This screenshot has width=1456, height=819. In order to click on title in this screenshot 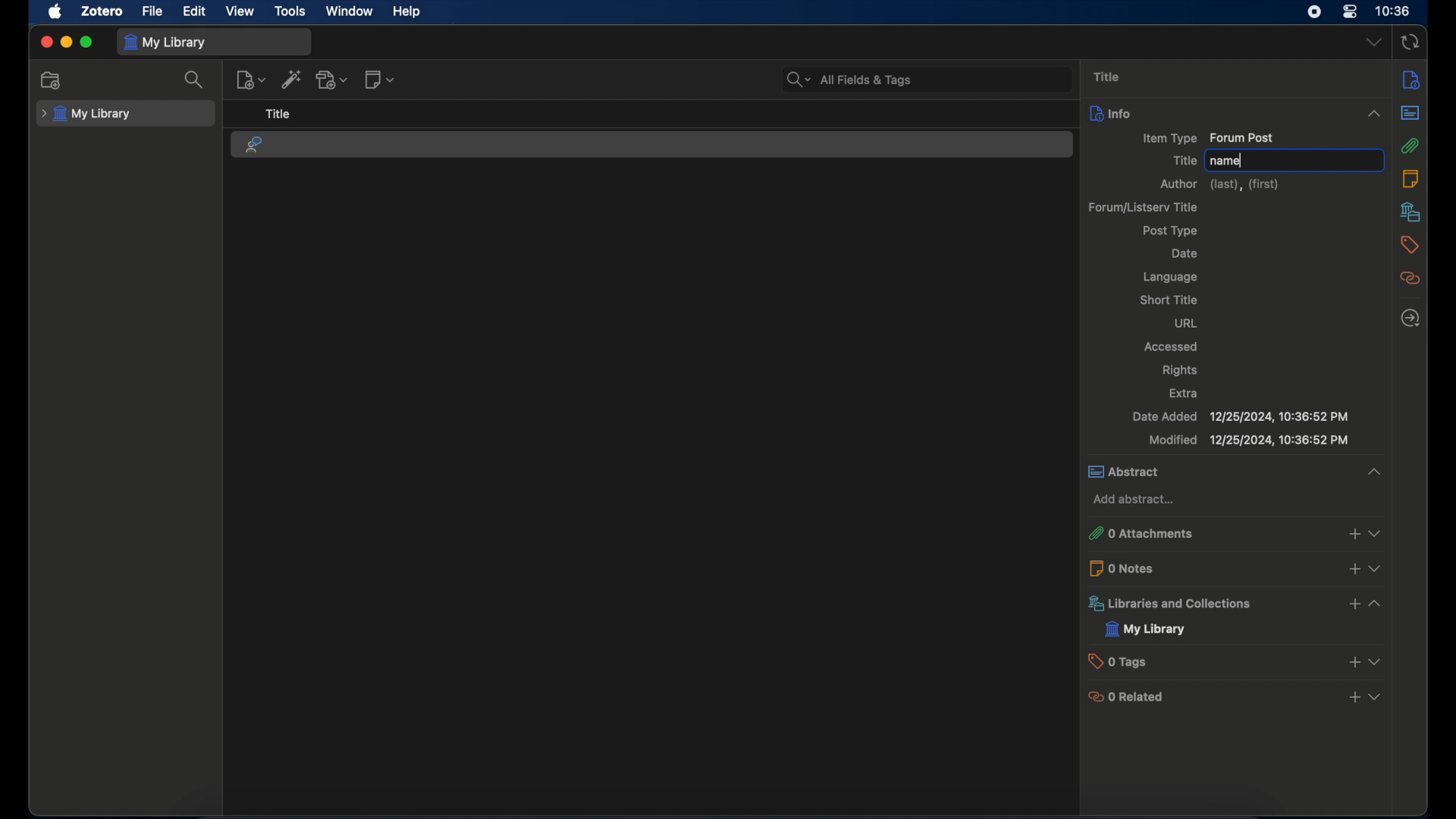, I will do `click(1109, 77)`.